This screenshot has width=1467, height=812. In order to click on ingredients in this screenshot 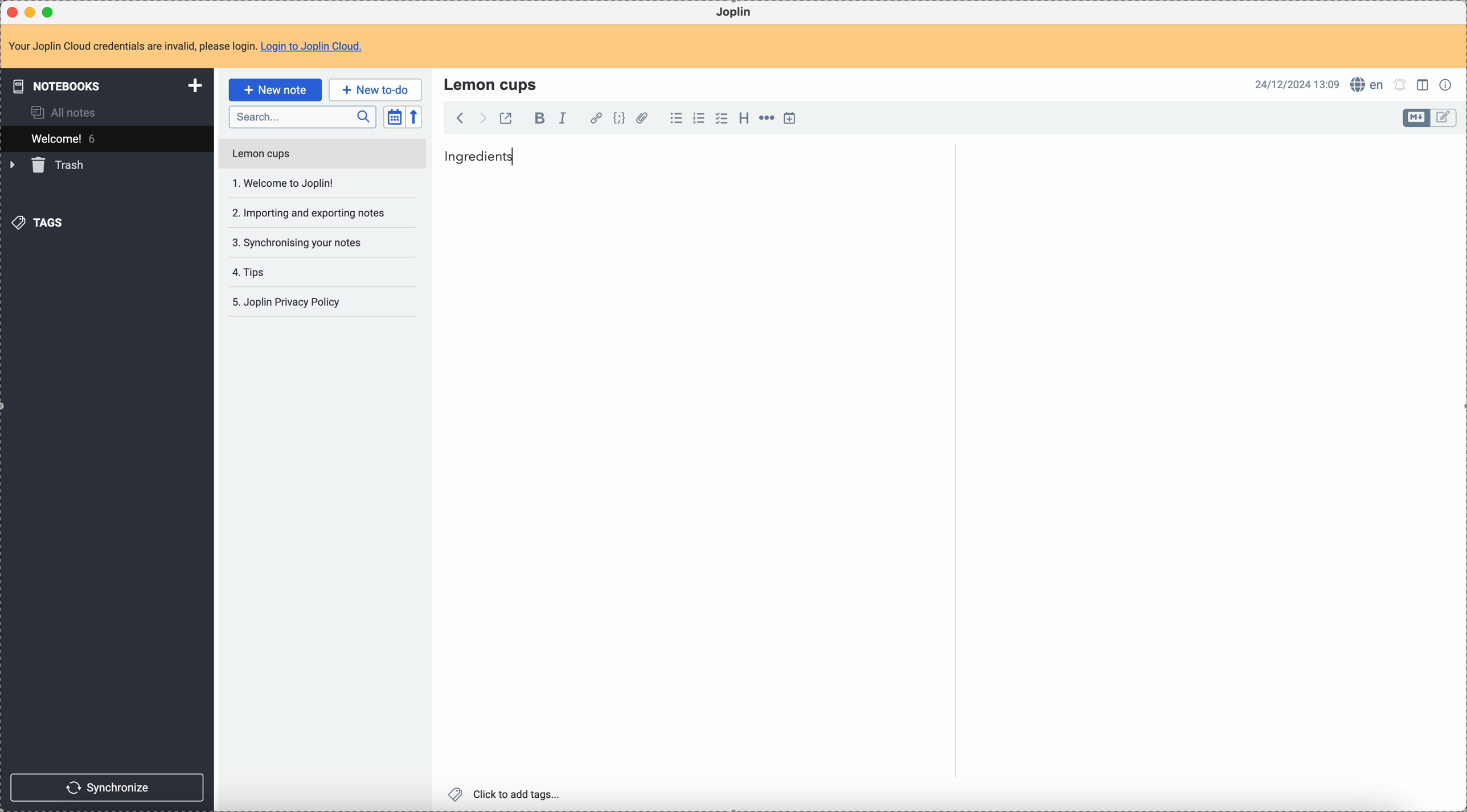, I will do `click(480, 155)`.